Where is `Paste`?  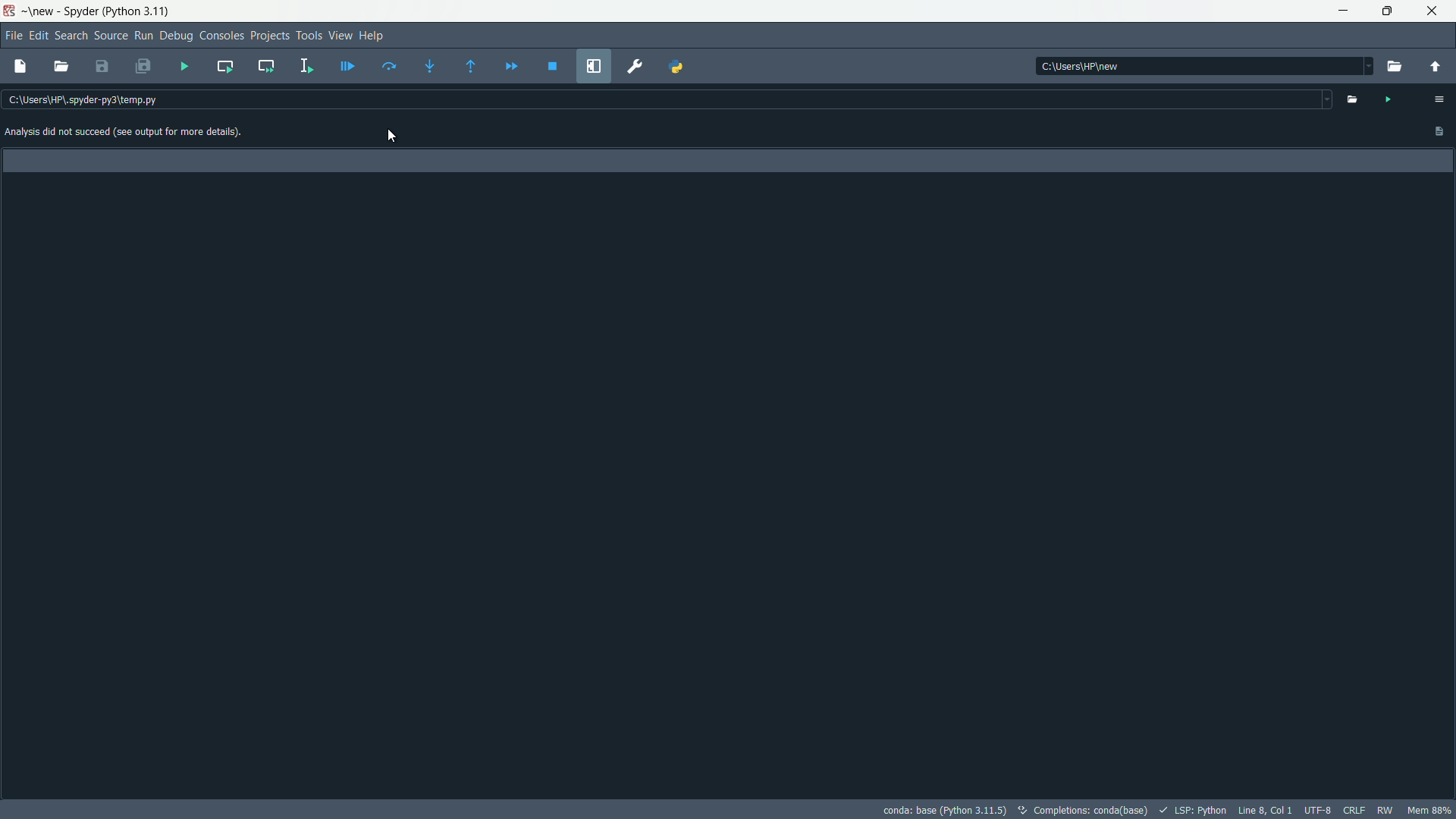 Paste is located at coordinates (1432, 130).